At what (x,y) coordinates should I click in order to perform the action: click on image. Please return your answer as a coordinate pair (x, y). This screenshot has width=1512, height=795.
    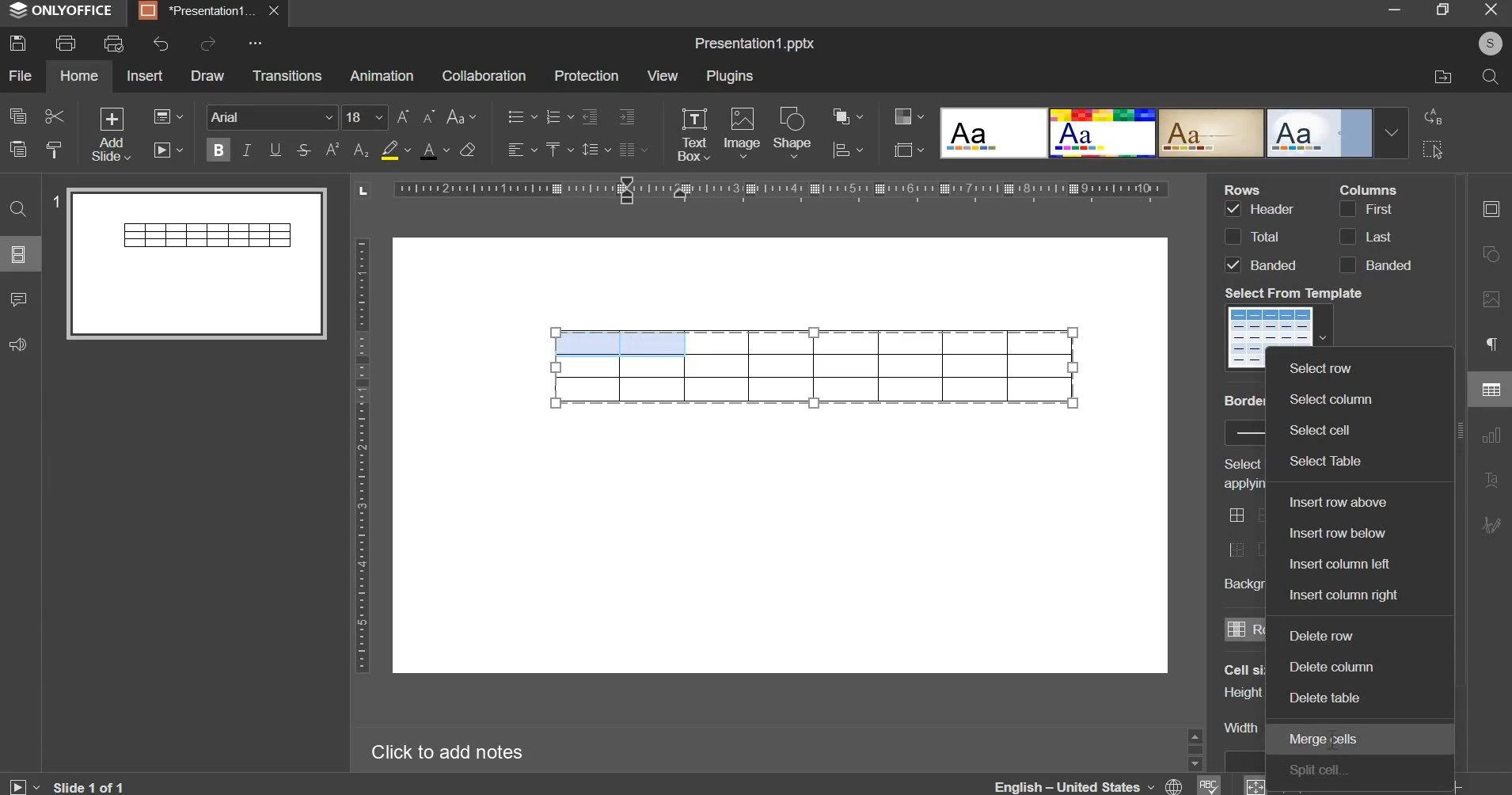
    Looking at the image, I should click on (742, 131).